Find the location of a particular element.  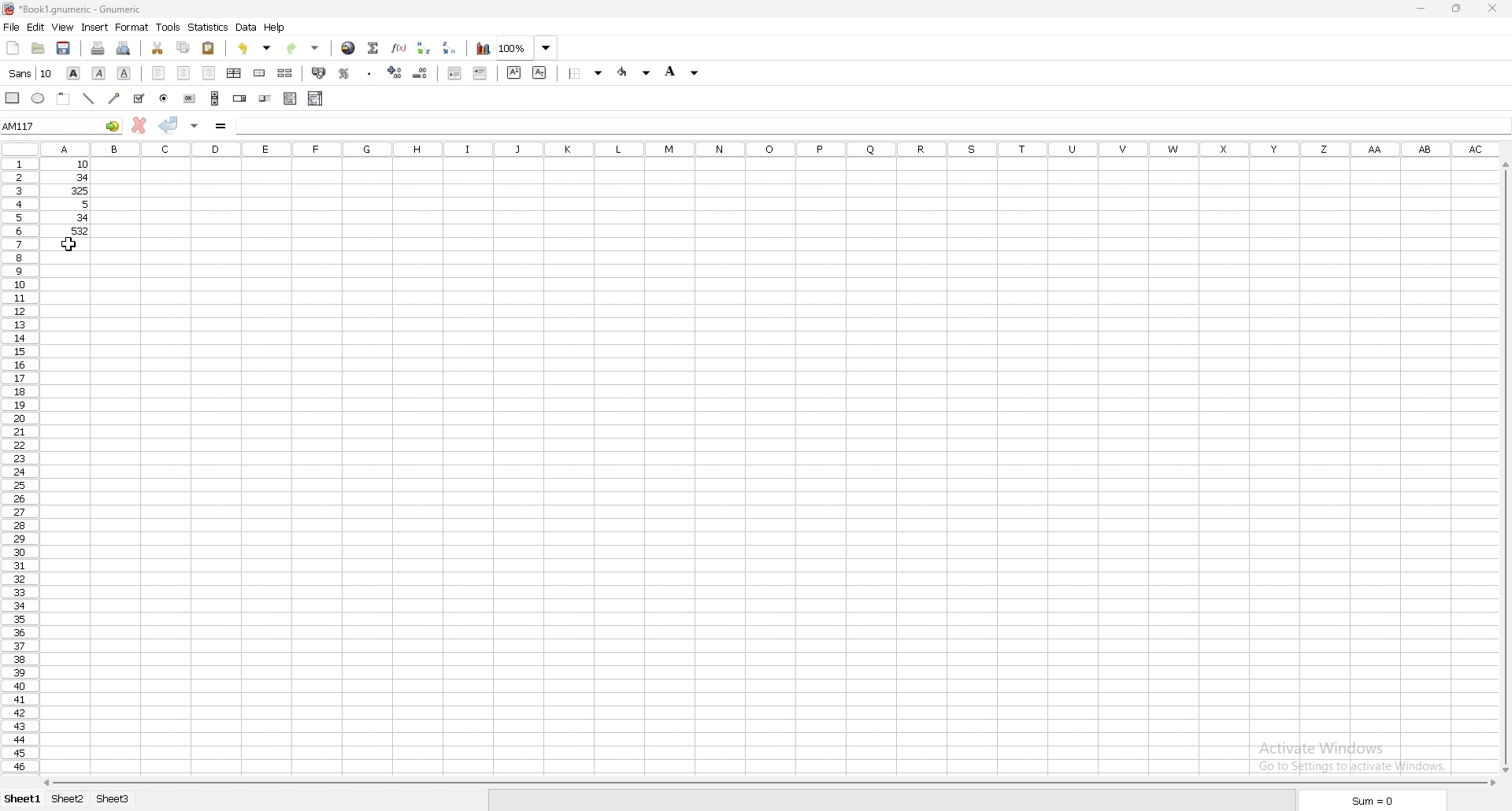

columns is located at coordinates (771, 150).